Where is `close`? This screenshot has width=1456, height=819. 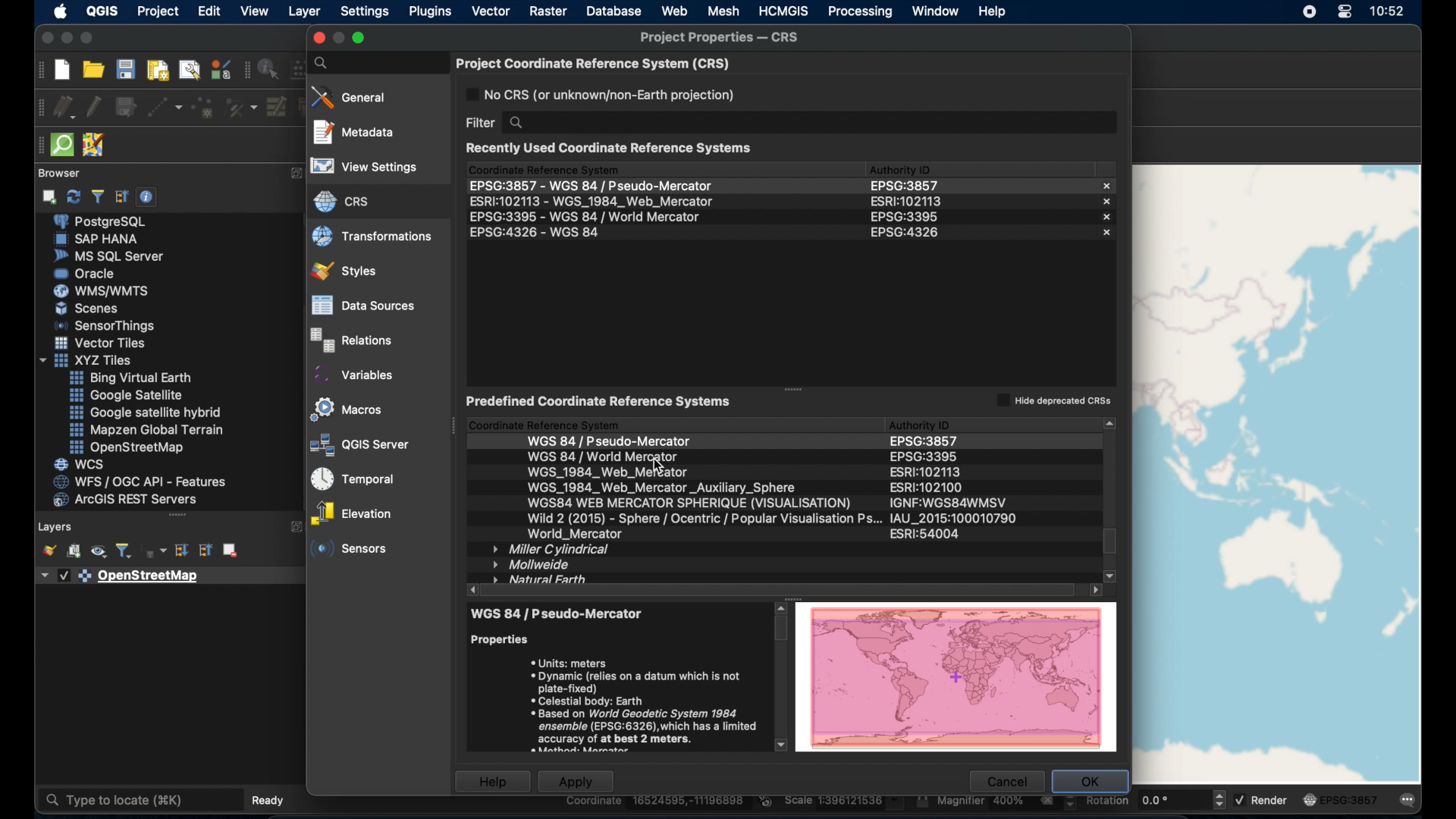 close is located at coordinates (1110, 184).